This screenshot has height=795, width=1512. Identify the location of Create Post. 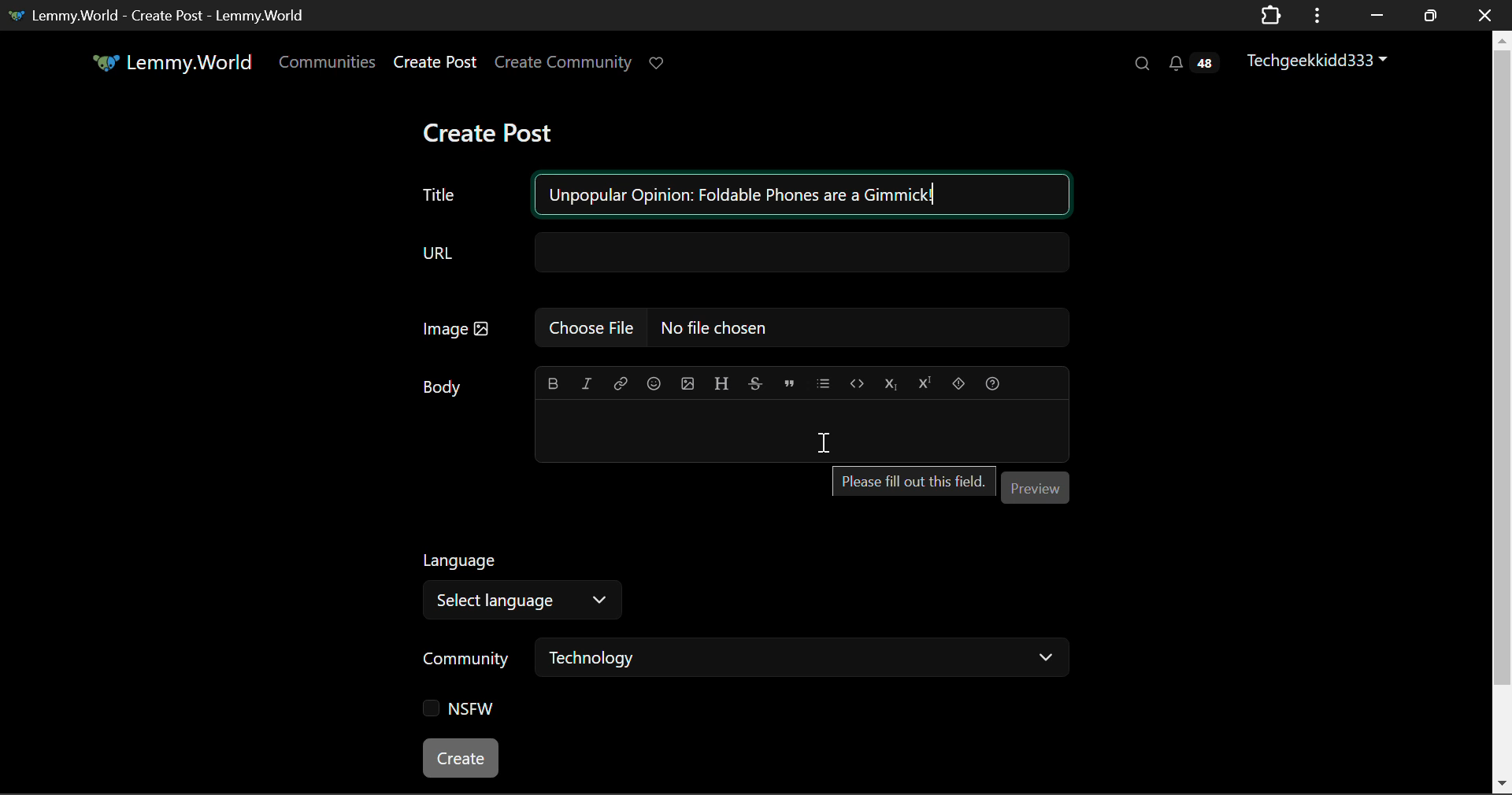
(434, 65).